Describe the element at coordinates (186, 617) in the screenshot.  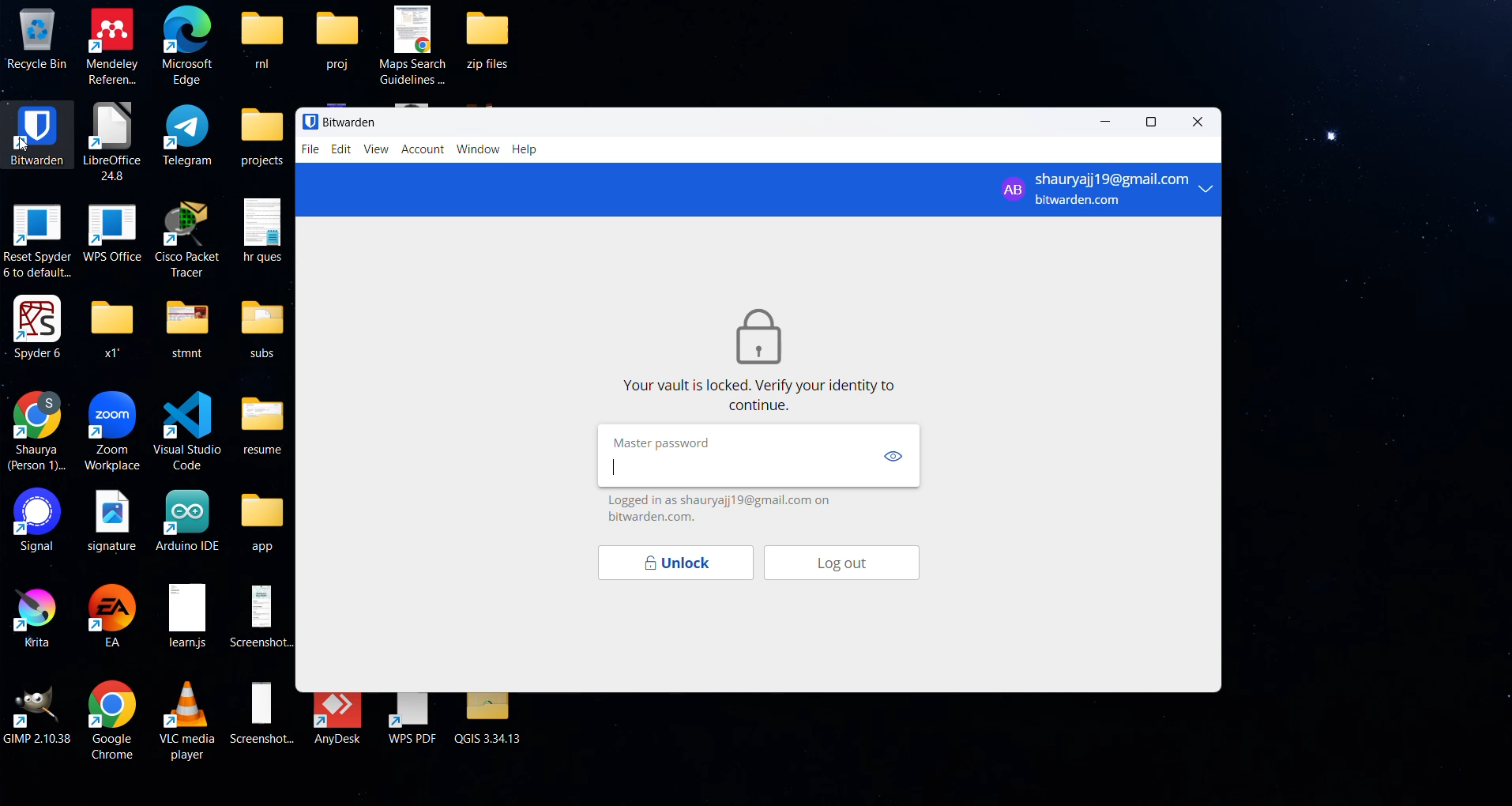
I see `learn.js` at that location.